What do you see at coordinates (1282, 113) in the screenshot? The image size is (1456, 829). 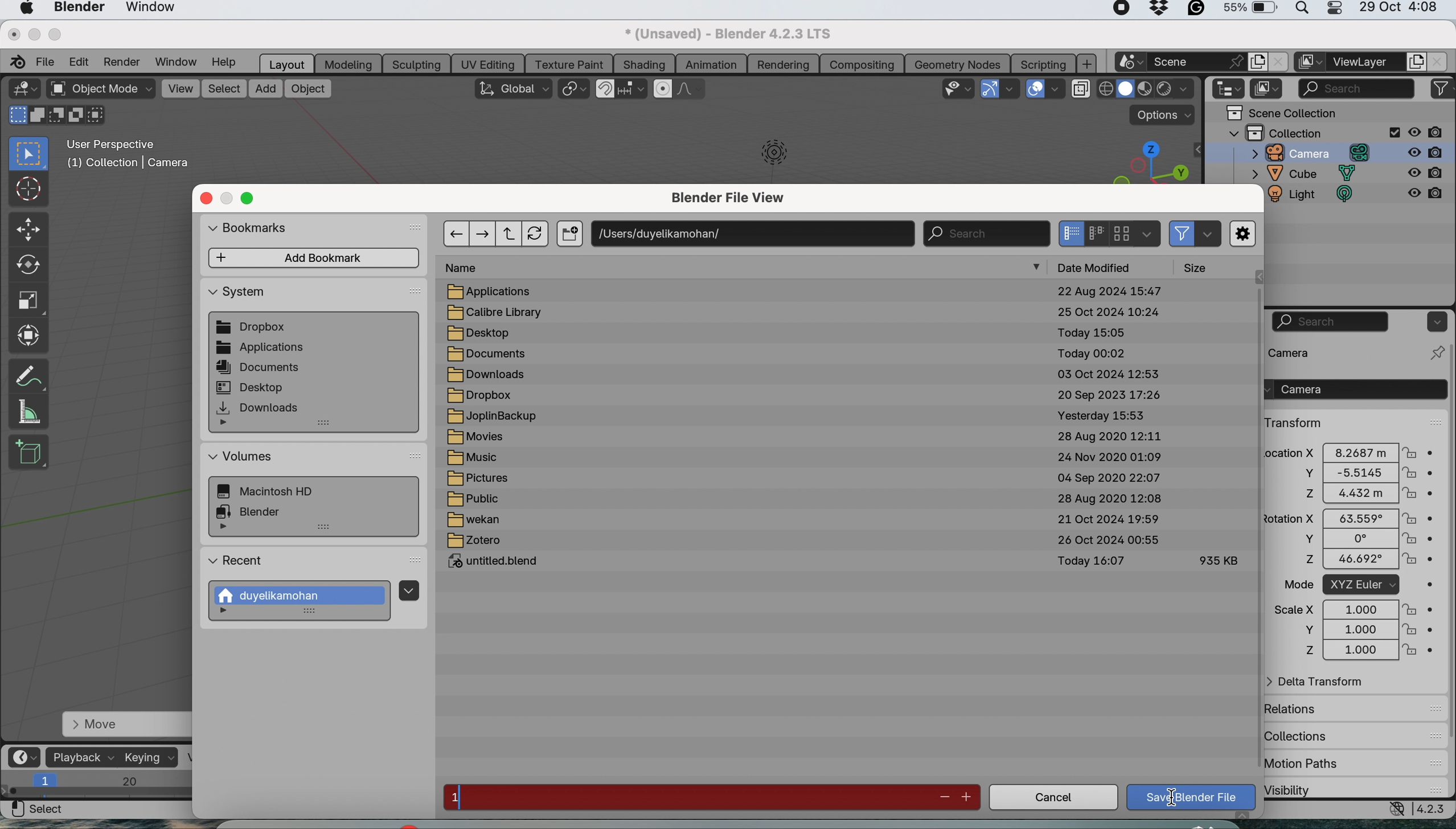 I see `scene collection` at bounding box center [1282, 113].